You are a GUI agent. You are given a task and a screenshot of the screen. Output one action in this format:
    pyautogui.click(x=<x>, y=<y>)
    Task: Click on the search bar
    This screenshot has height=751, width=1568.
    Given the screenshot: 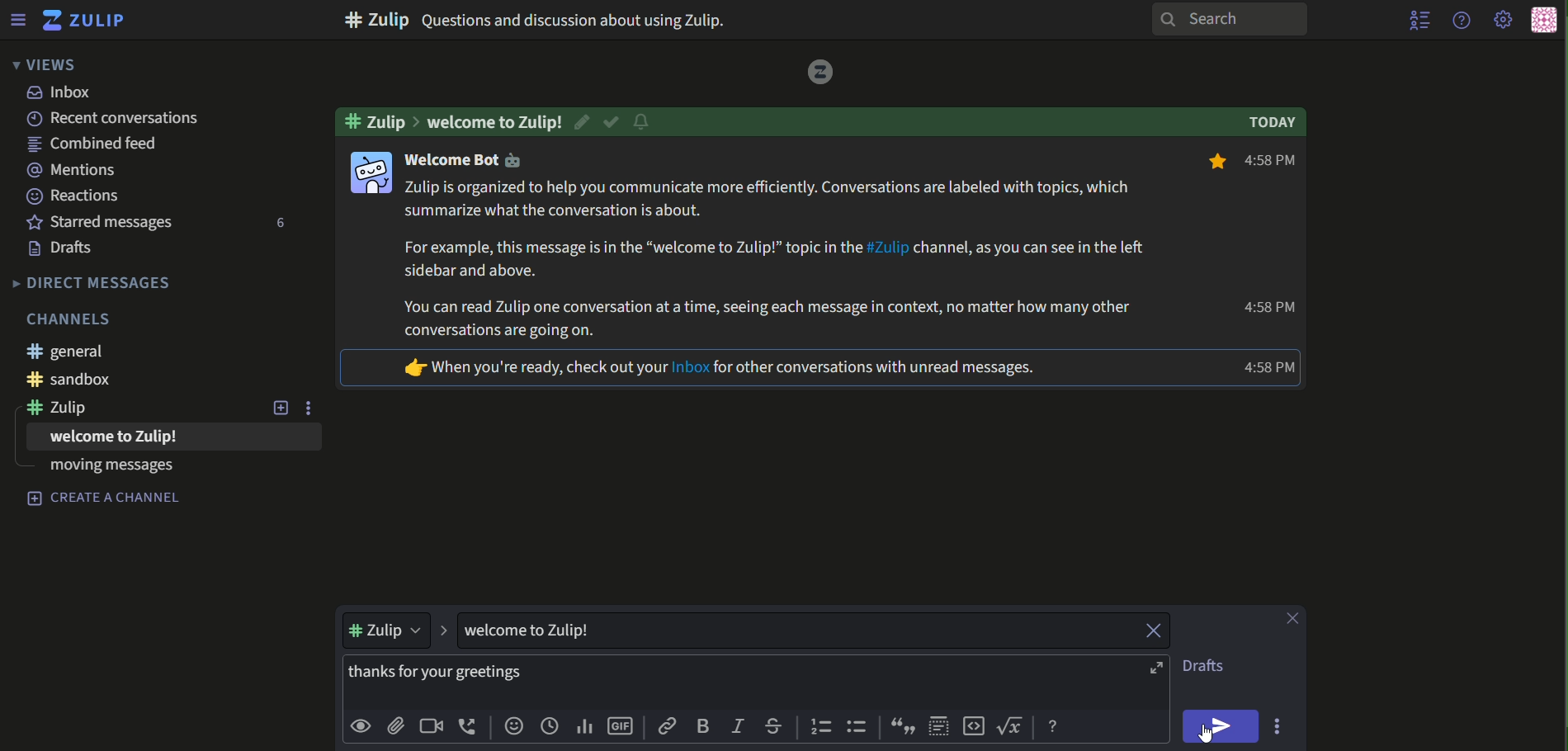 What is the action you would take?
    pyautogui.click(x=1226, y=19)
    